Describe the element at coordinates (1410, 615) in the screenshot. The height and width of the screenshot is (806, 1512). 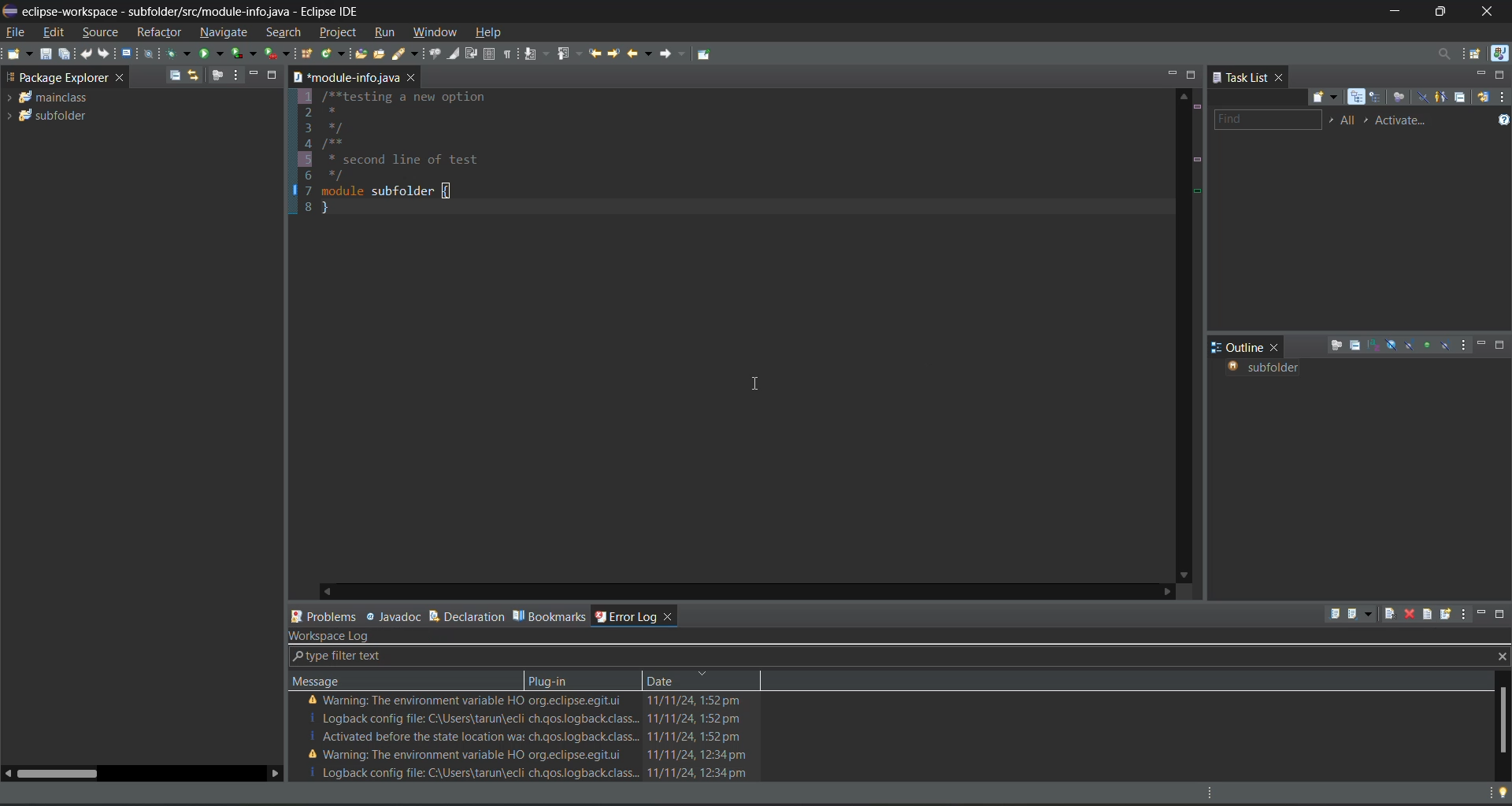
I see `delete log` at that location.